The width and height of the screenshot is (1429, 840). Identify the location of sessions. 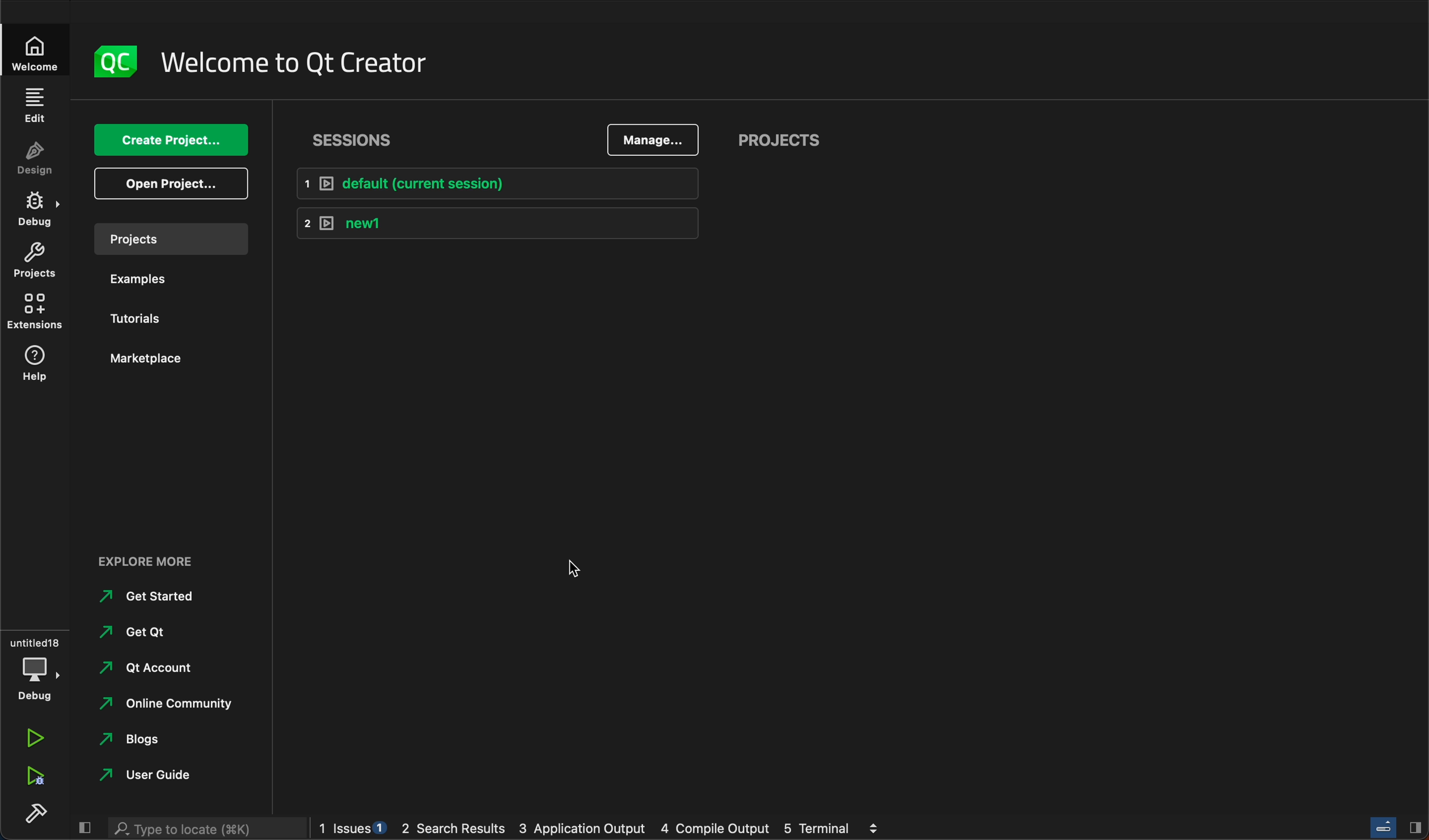
(357, 139).